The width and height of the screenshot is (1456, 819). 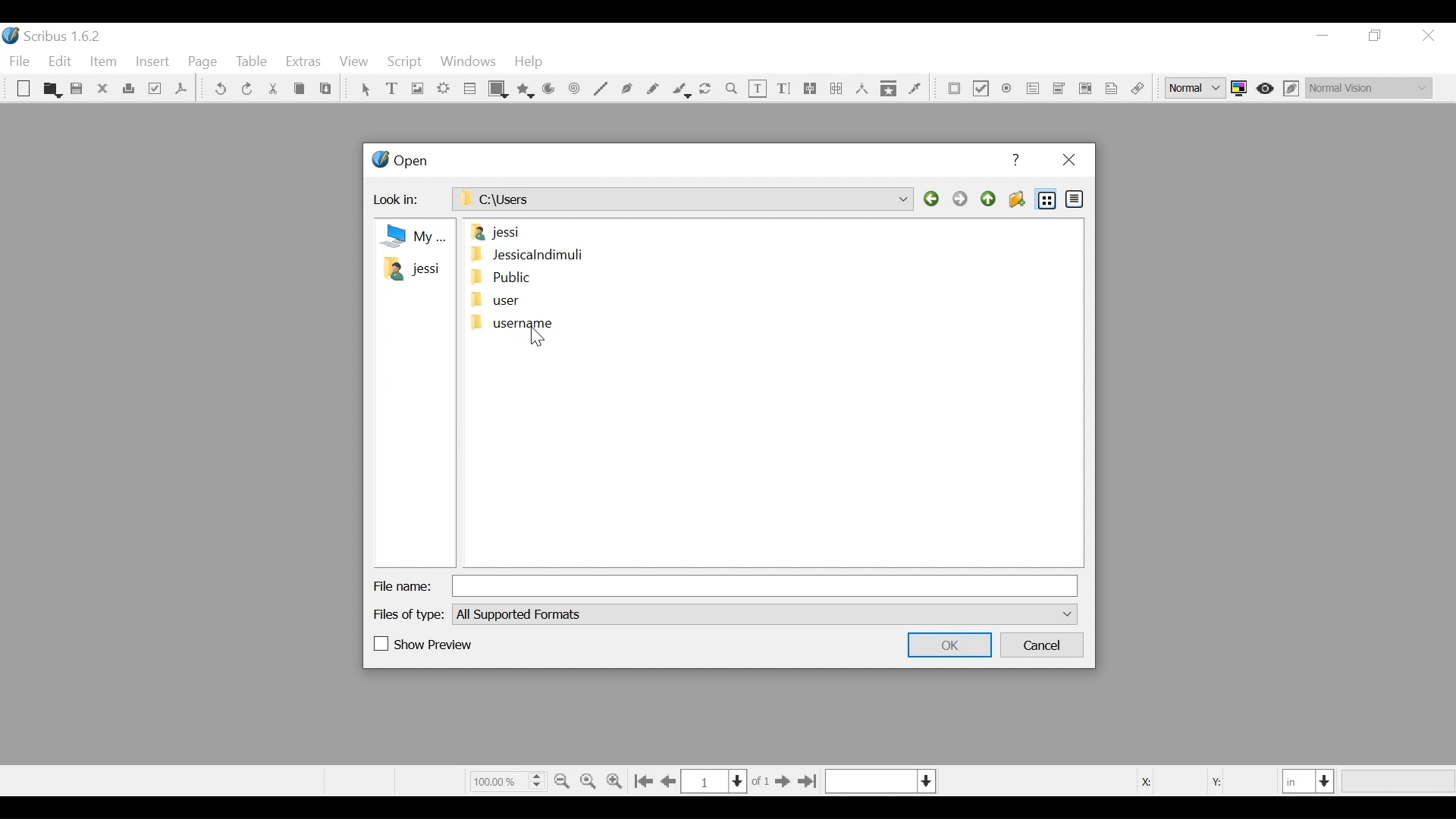 What do you see at coordinates (1427, 36) in the screenshot?
I see `Close` at bounding box center [1427, 36].